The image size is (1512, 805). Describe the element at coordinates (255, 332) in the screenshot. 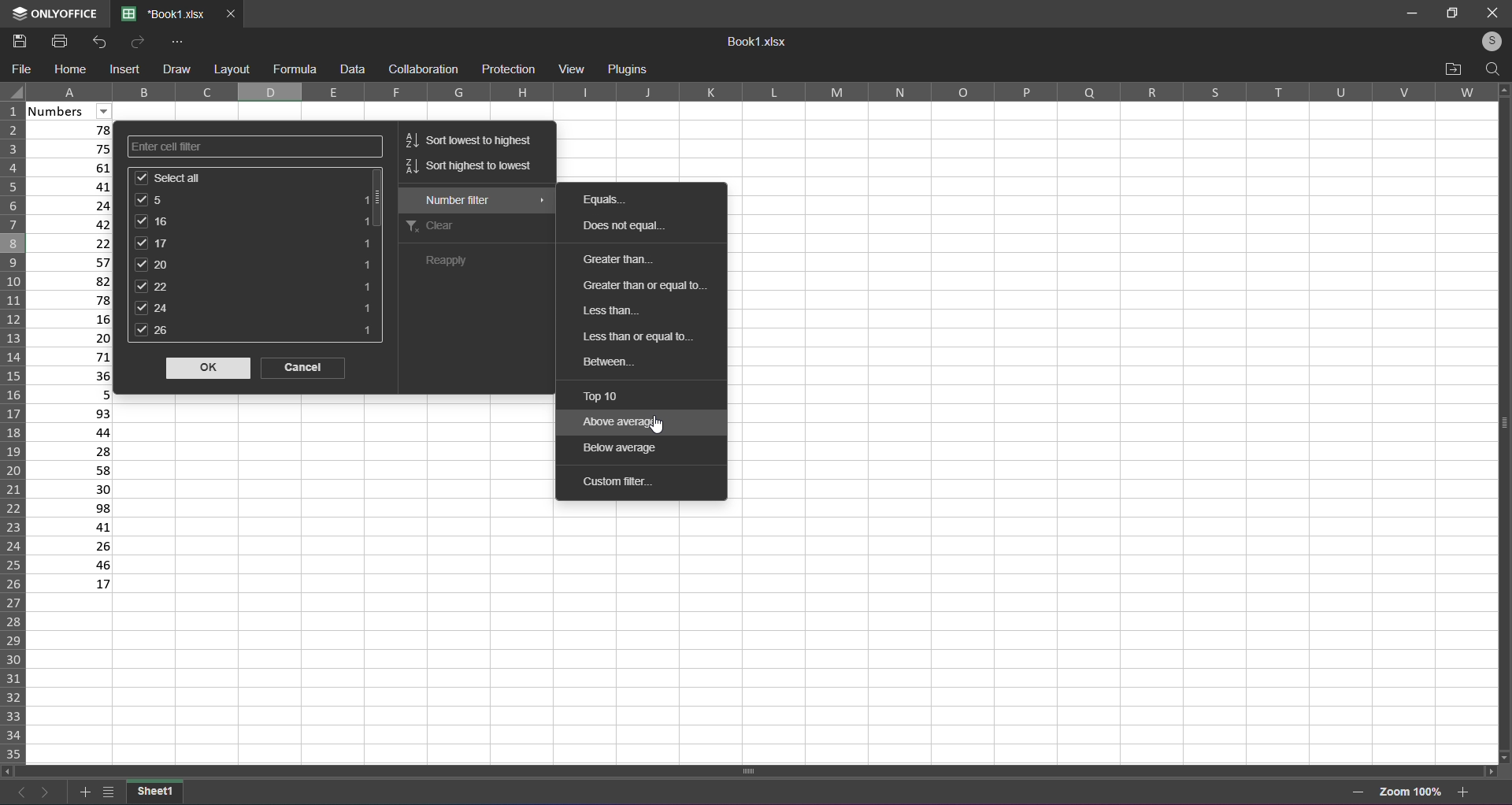

I see `26` at that location.